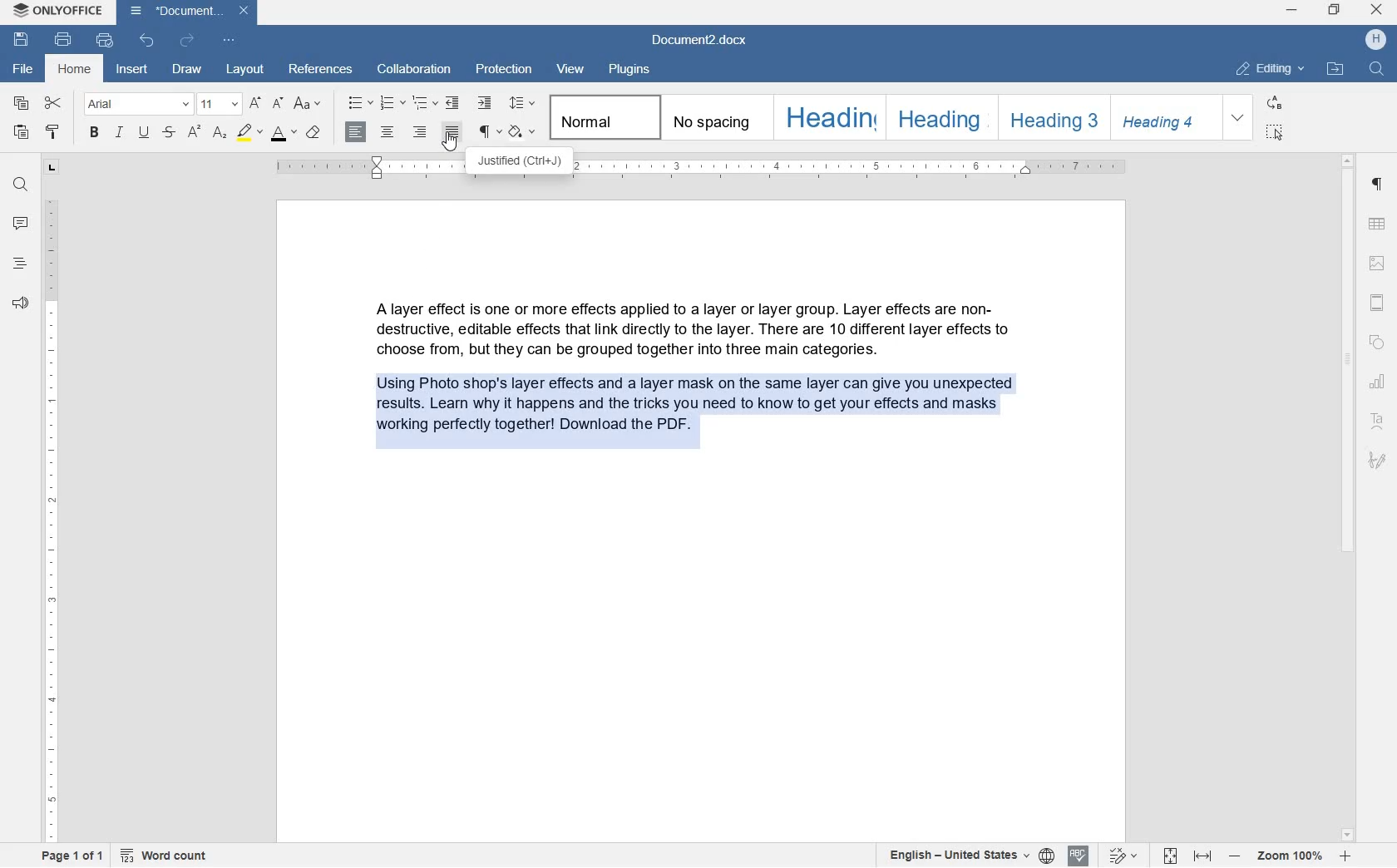  I want to click on CHART, so click(1377, 382).